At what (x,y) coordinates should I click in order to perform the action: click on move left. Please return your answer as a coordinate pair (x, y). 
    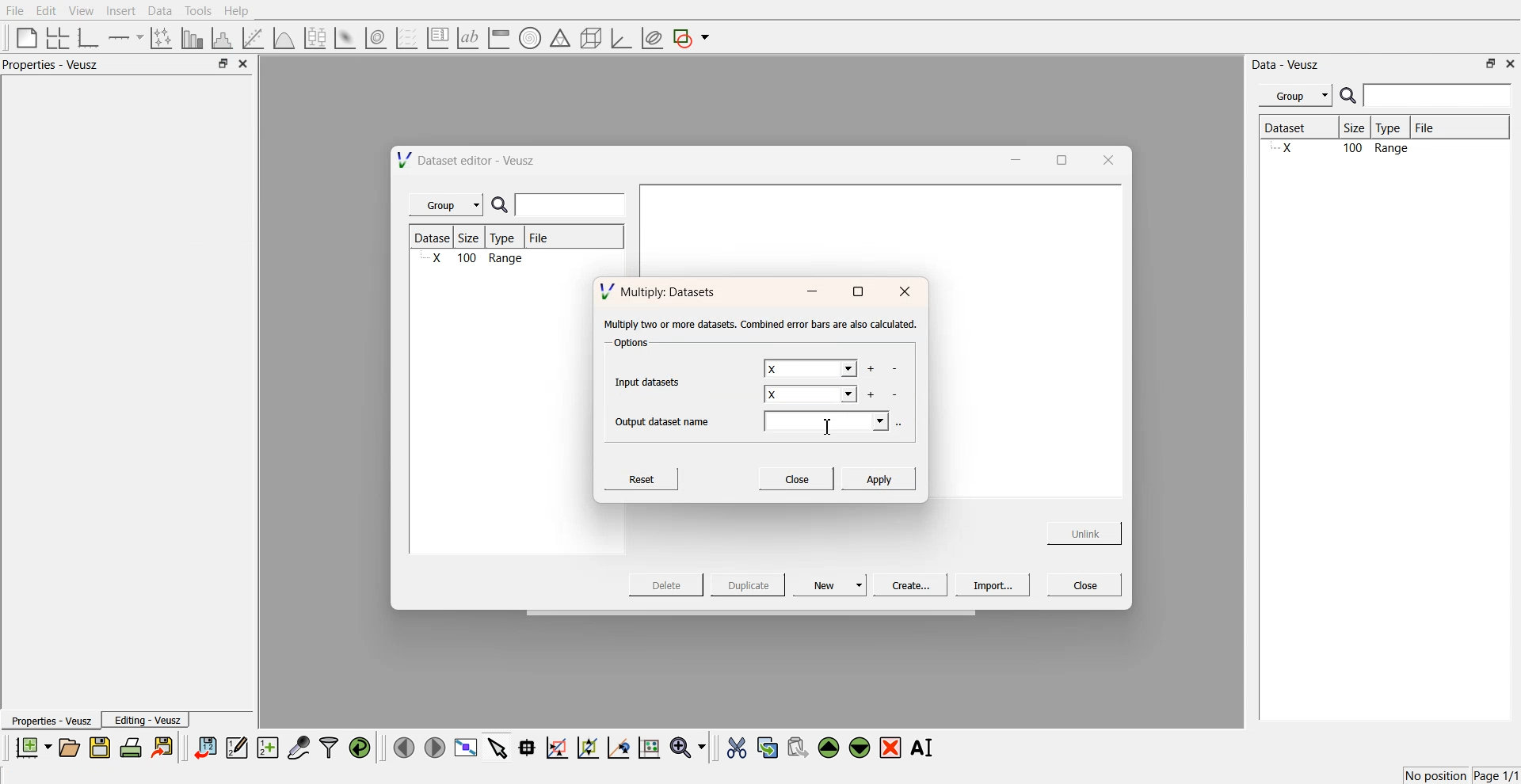
    Looking at the image, I should click on (404, 747).